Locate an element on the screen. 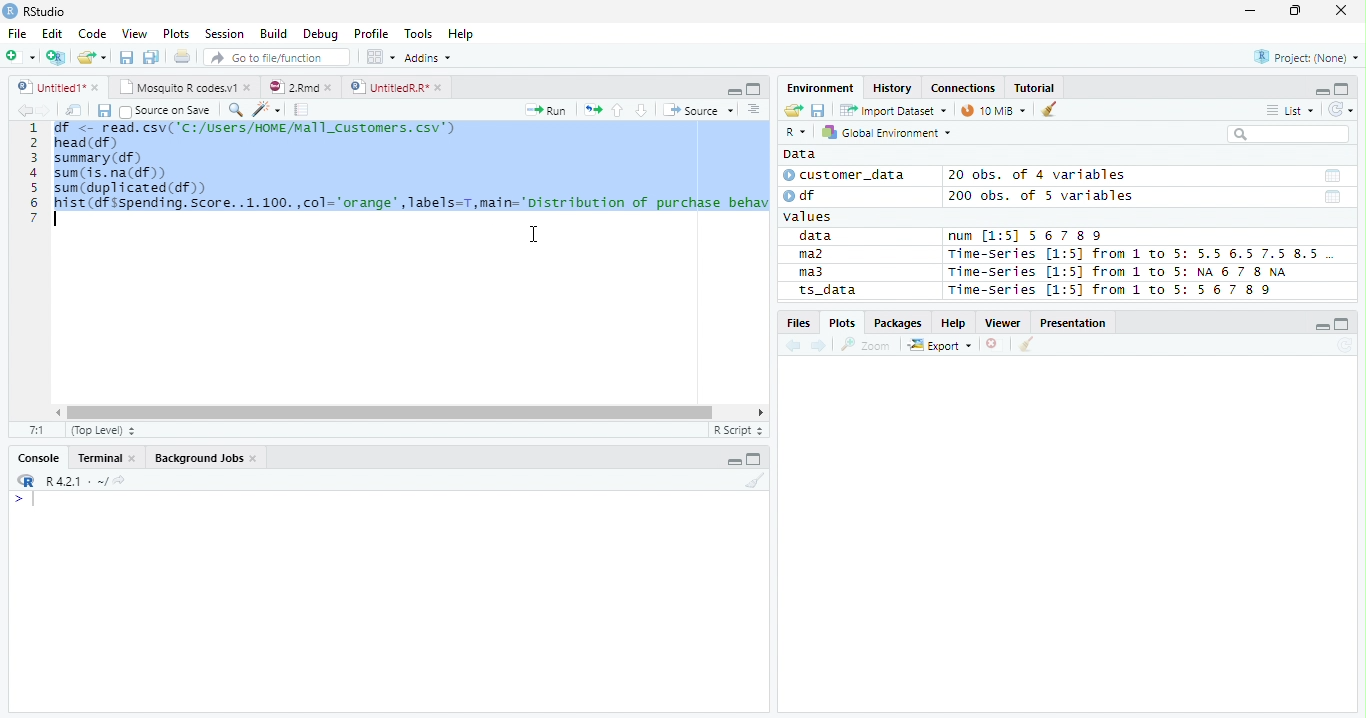 The height and width of the screenshot is (718, 1366). UnititledR.R is located at coordinates (398, 88).